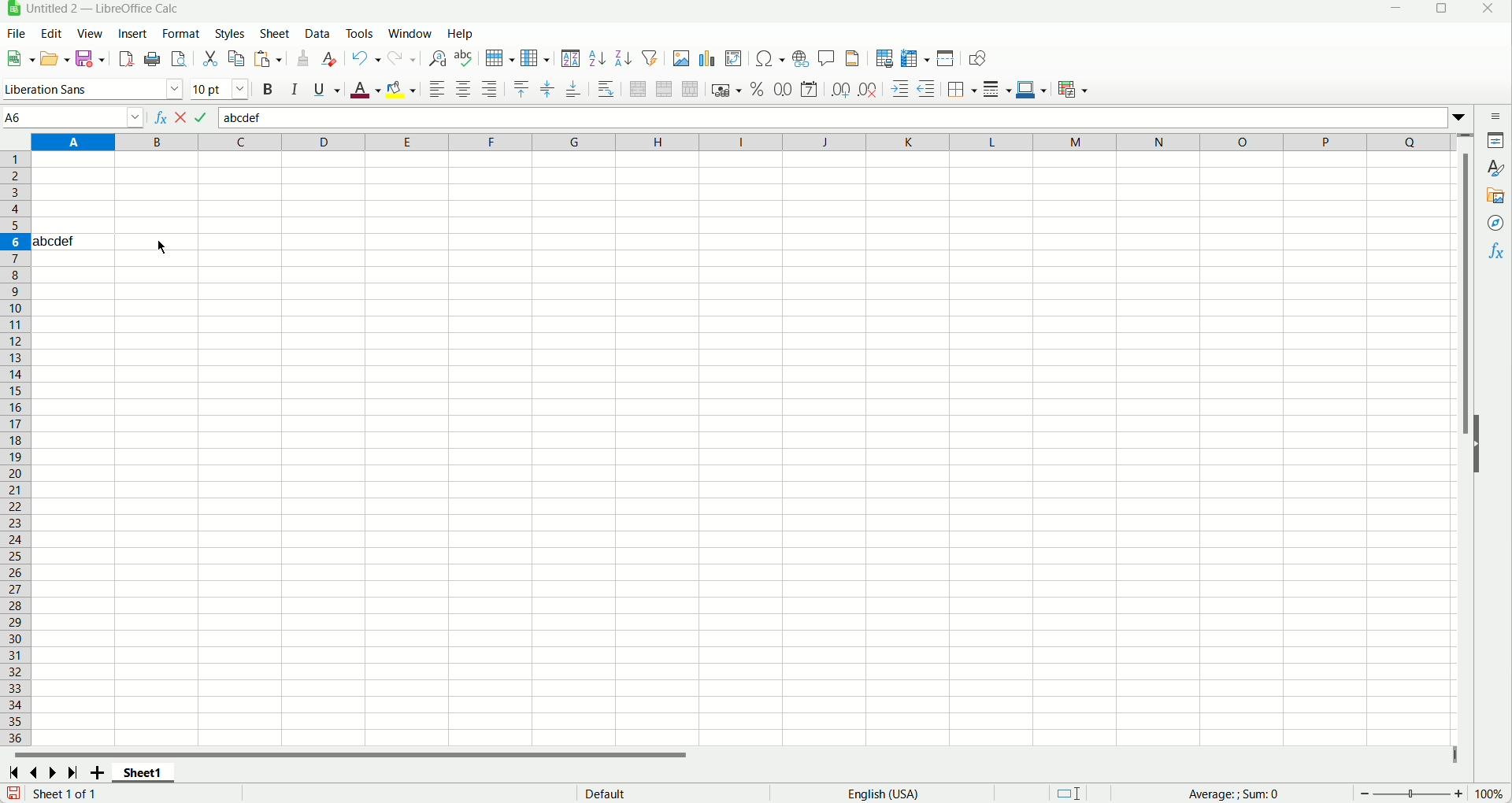  What do you see at coordinates (464, 88) in the screenshot?
I see `align center` at bounding box center [464, 88].